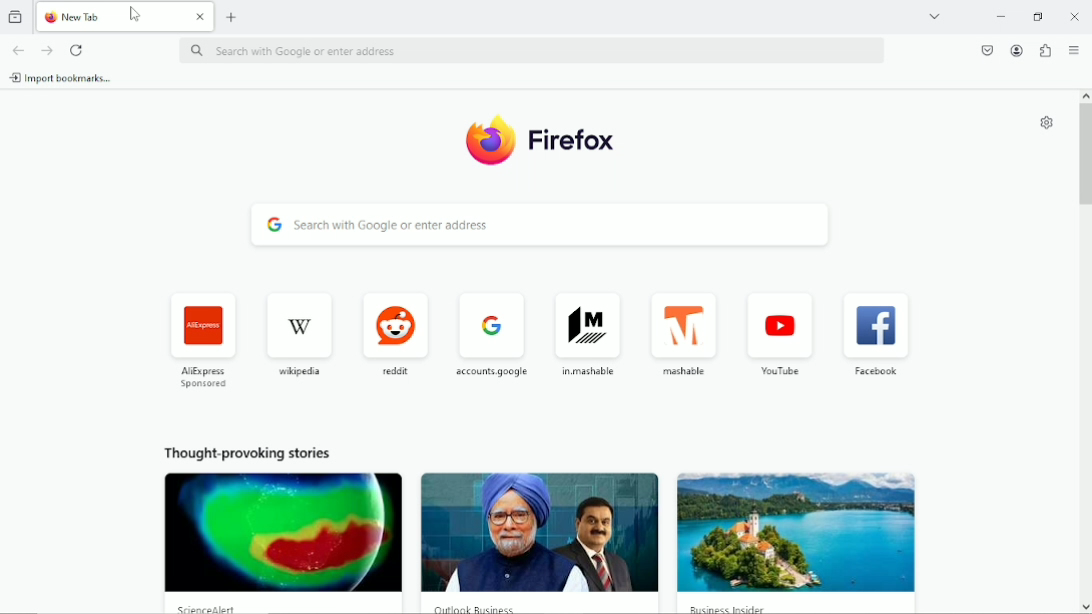 The height and width of the screenshot is (614, 1092). I want to click on Reload current tab, so click(77, 50).